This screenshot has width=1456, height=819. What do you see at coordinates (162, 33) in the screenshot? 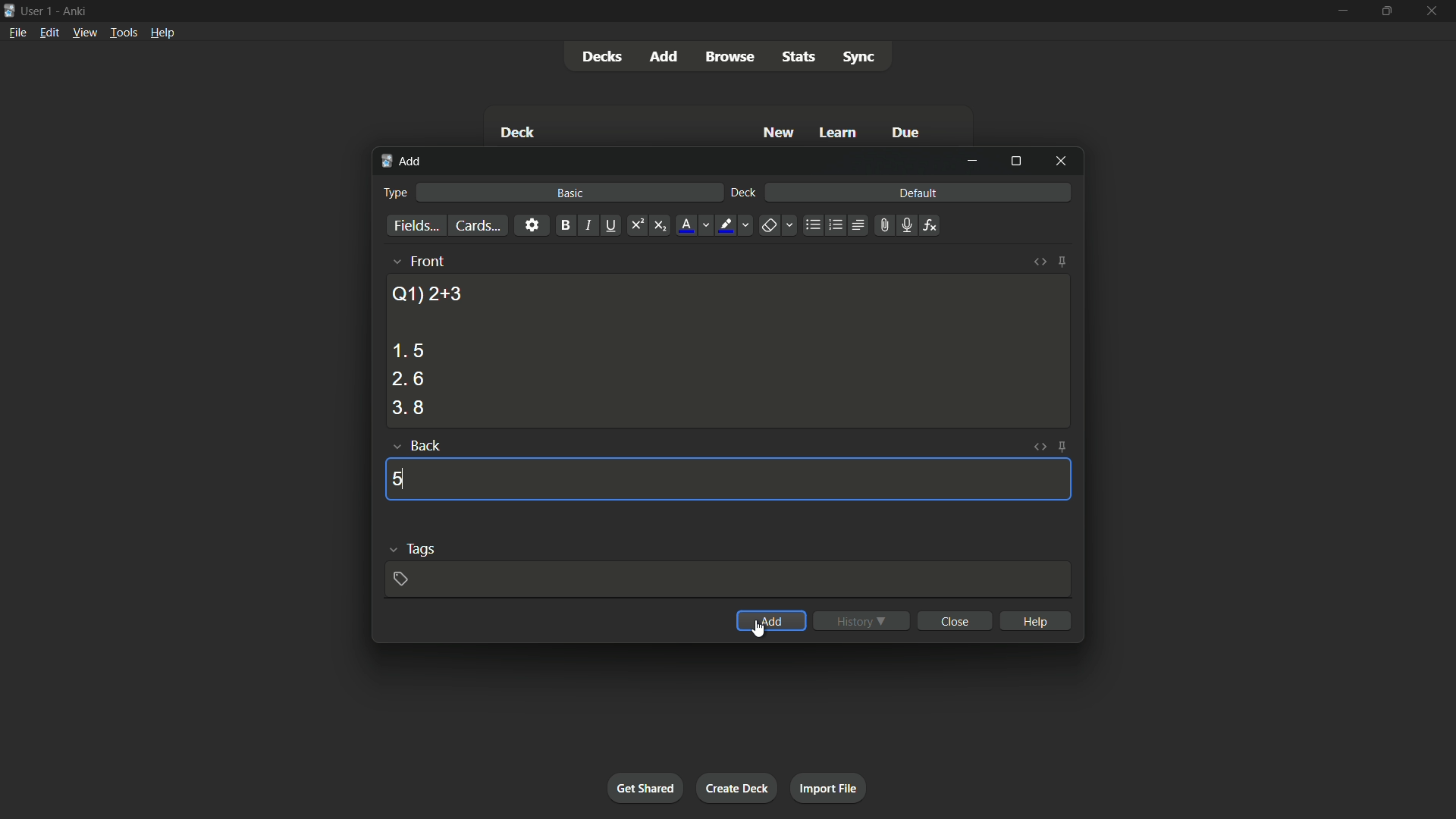
I see `help menu` at bounding box center [162, 33].